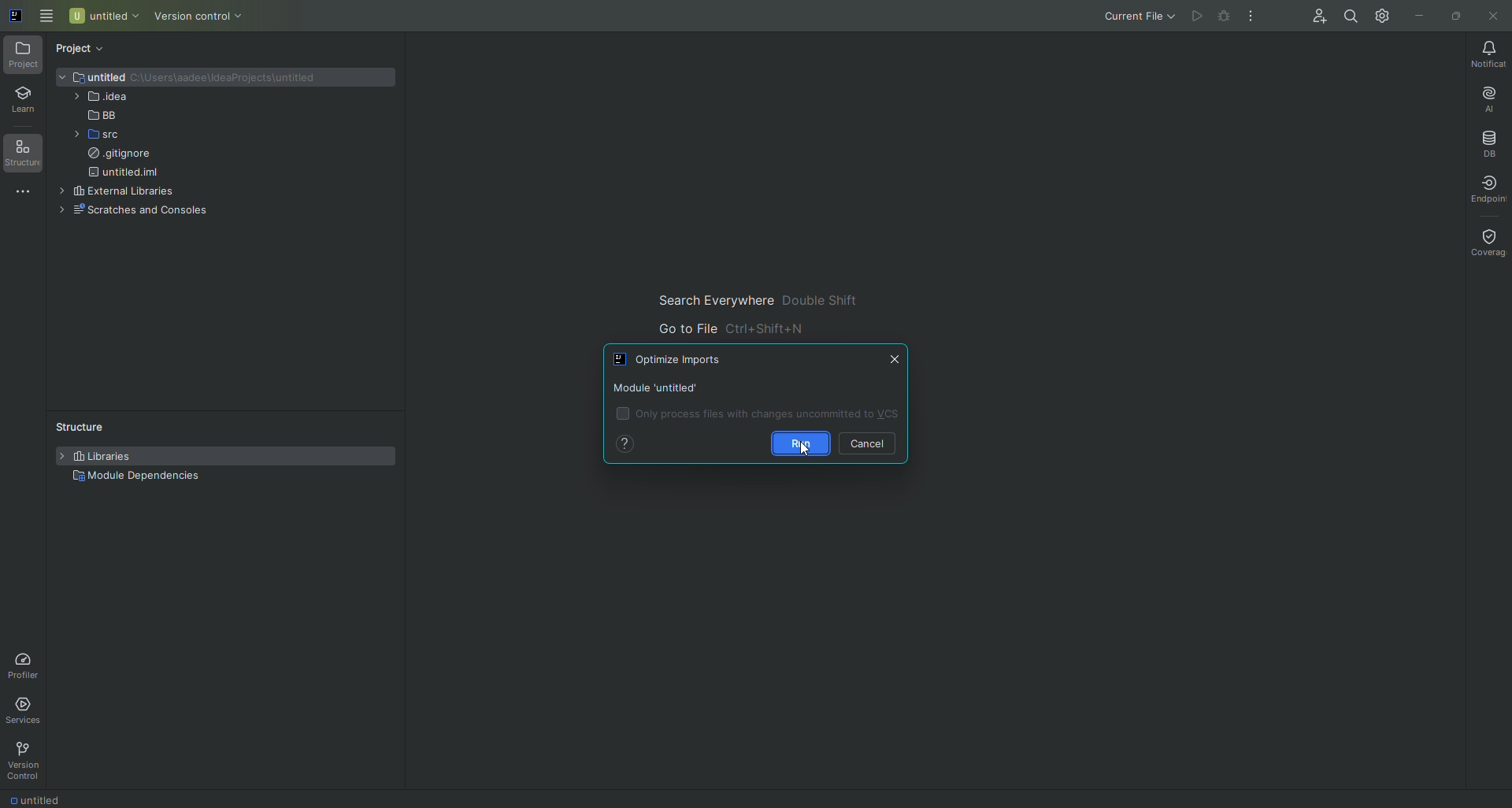 This screenshot has width=1512, height=808. I want to click on Untitled, so click(104, 17).